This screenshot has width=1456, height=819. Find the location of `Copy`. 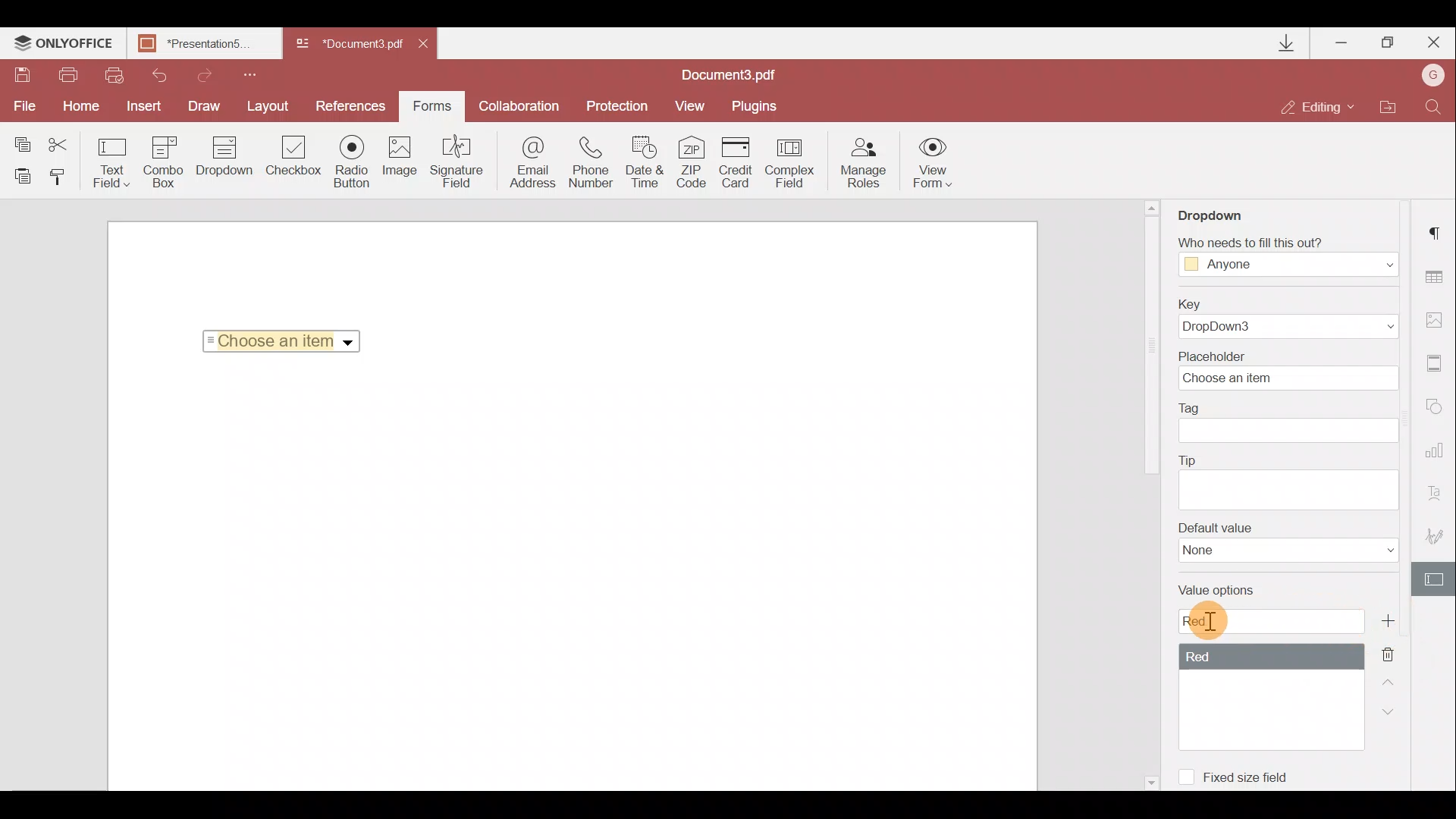

Copy is located at coordinates (18, 139).